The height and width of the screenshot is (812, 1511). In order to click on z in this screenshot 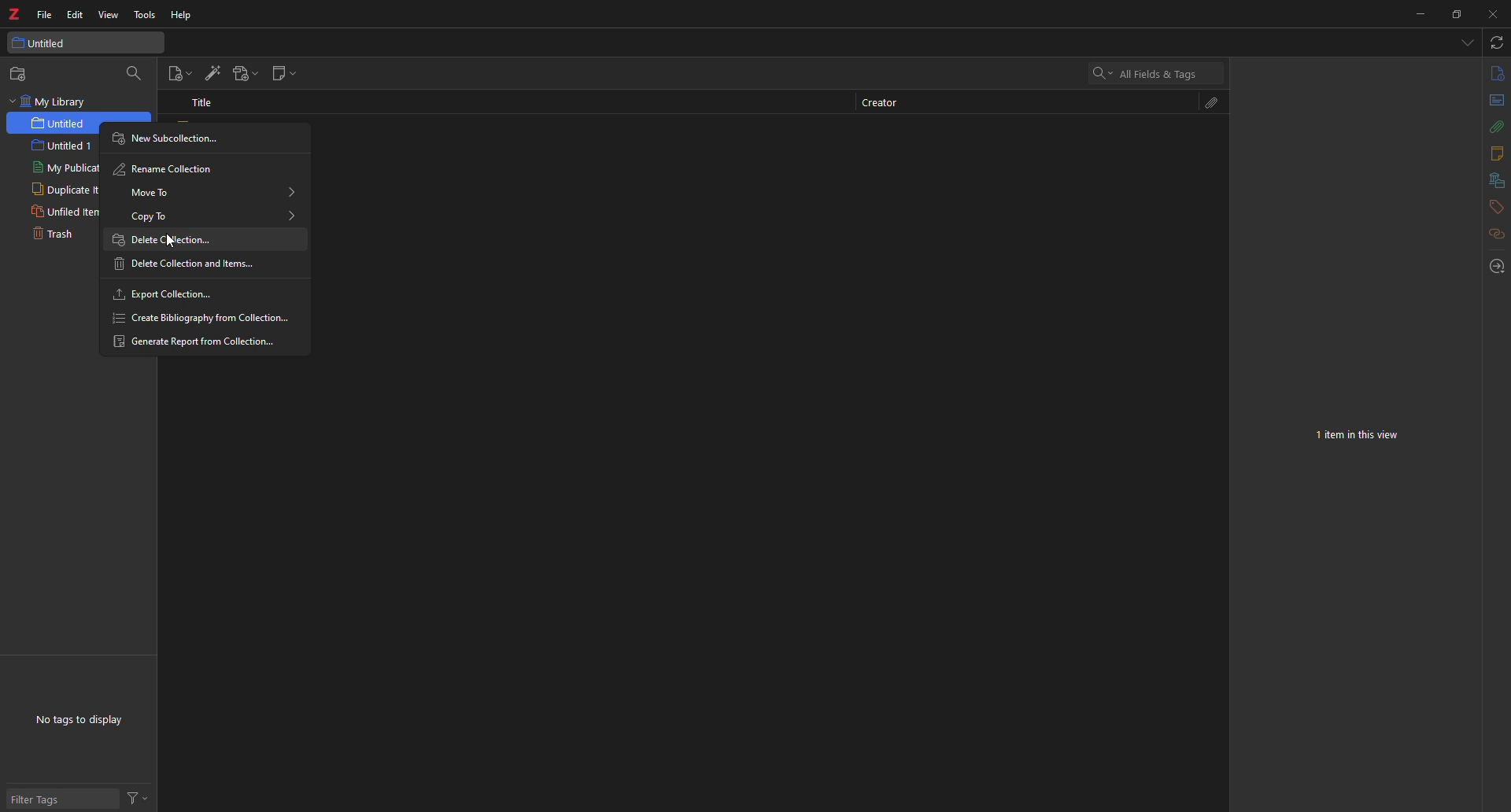, I will do `click(11, 17)`.